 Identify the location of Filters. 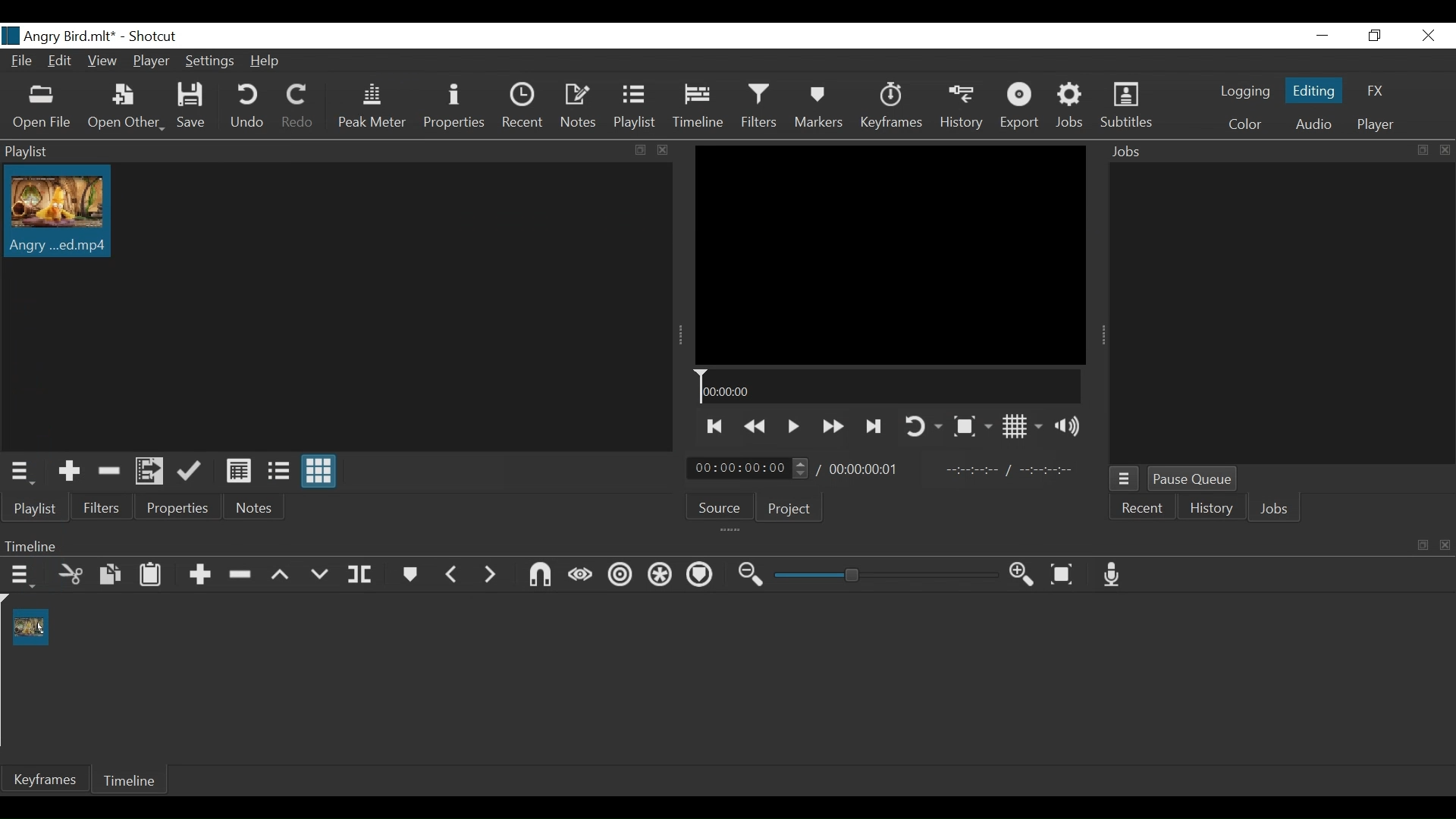
(759, 106).